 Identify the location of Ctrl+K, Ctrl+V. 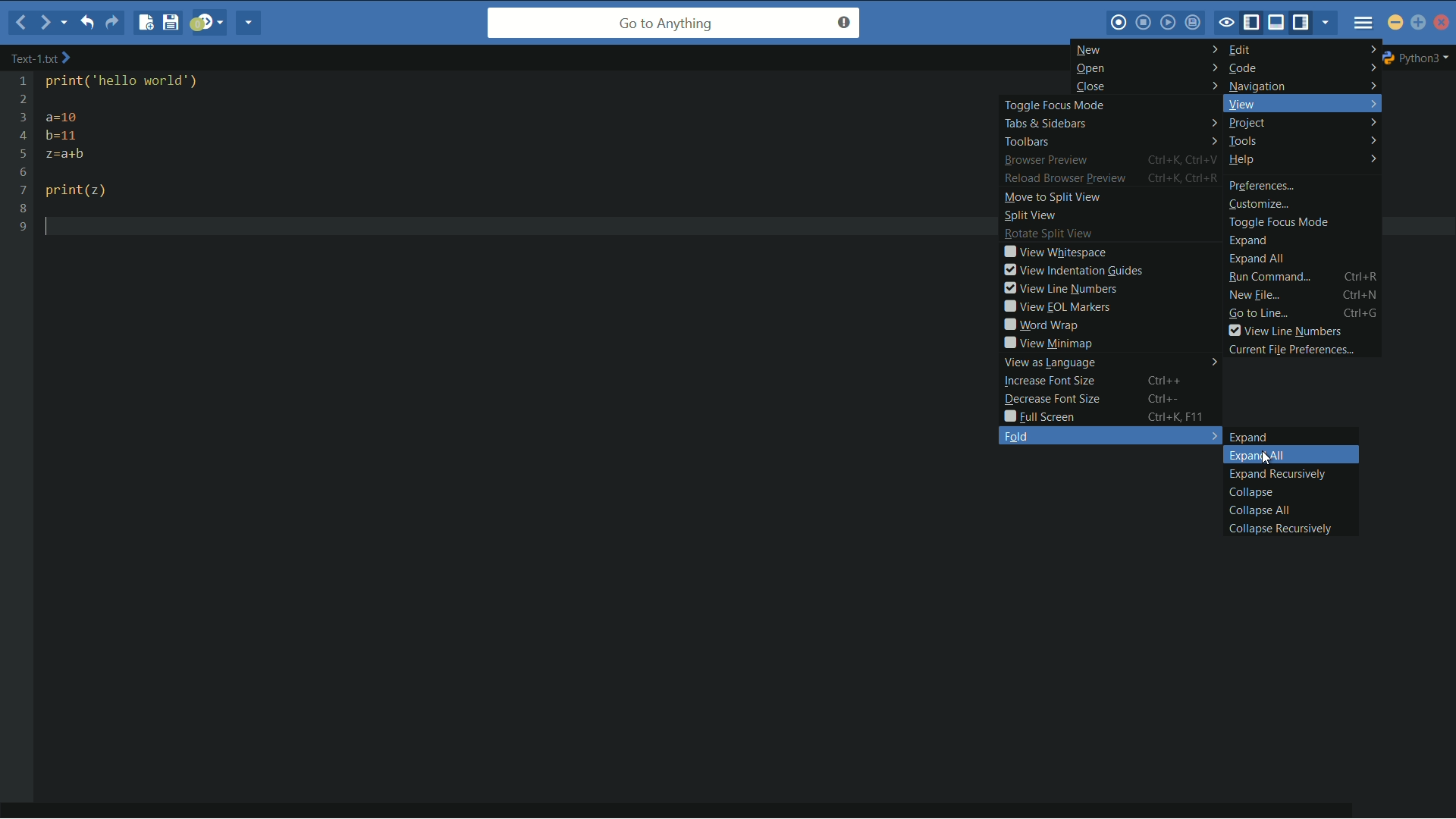
(1185, 160).